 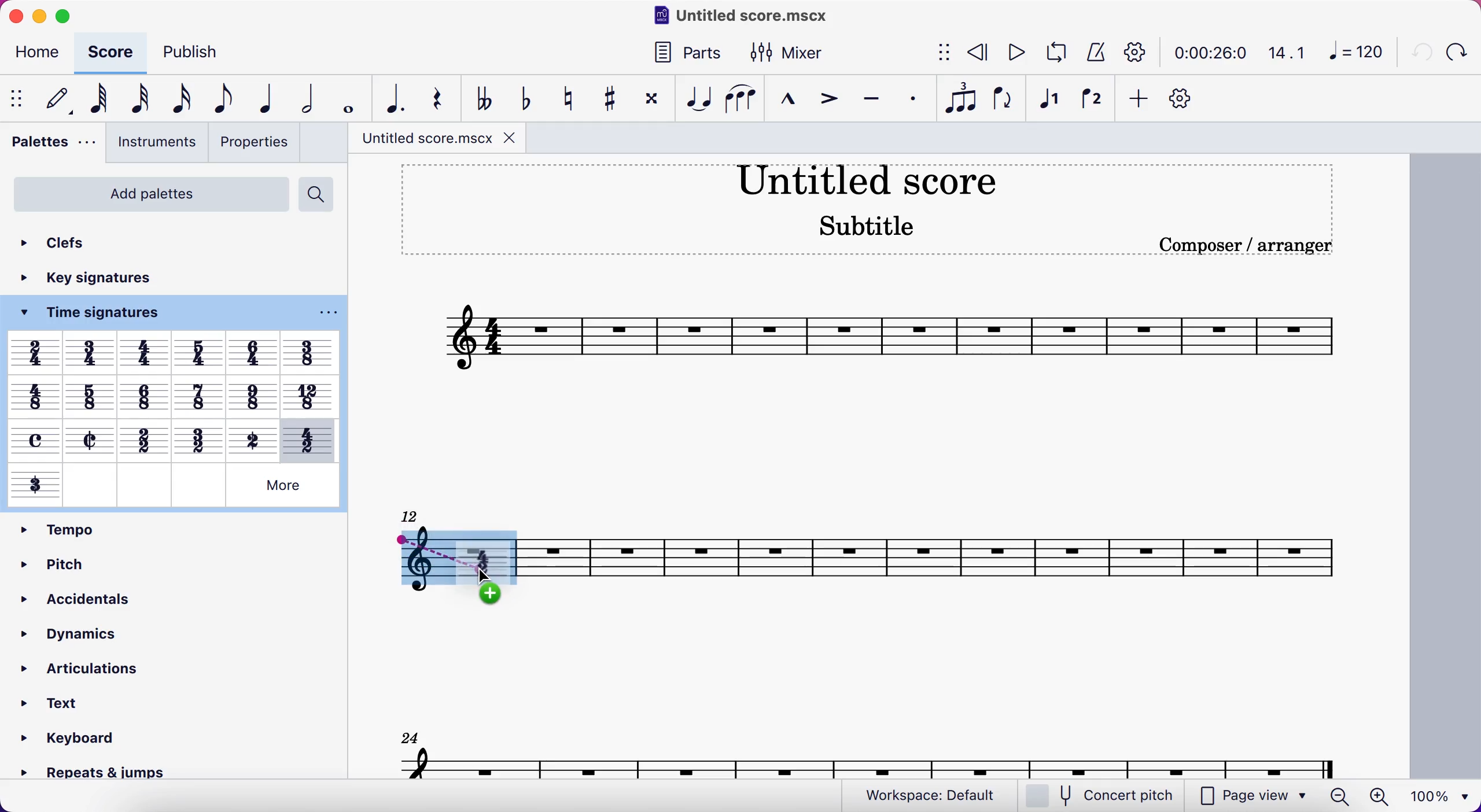 I want to click on , so click(x=311, y=352).